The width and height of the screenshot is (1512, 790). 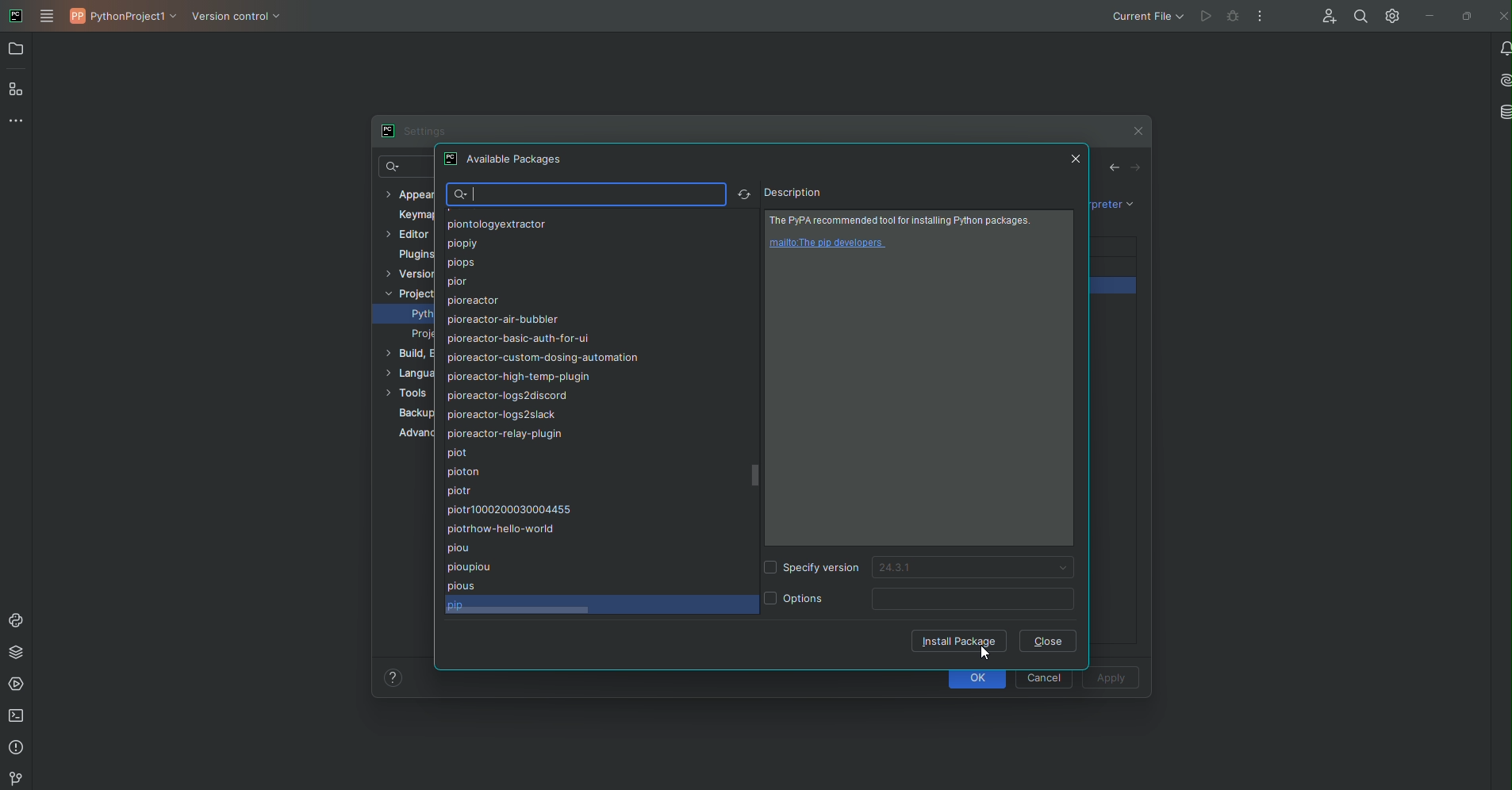 I want to click on pior, so click(x=466, y=283).